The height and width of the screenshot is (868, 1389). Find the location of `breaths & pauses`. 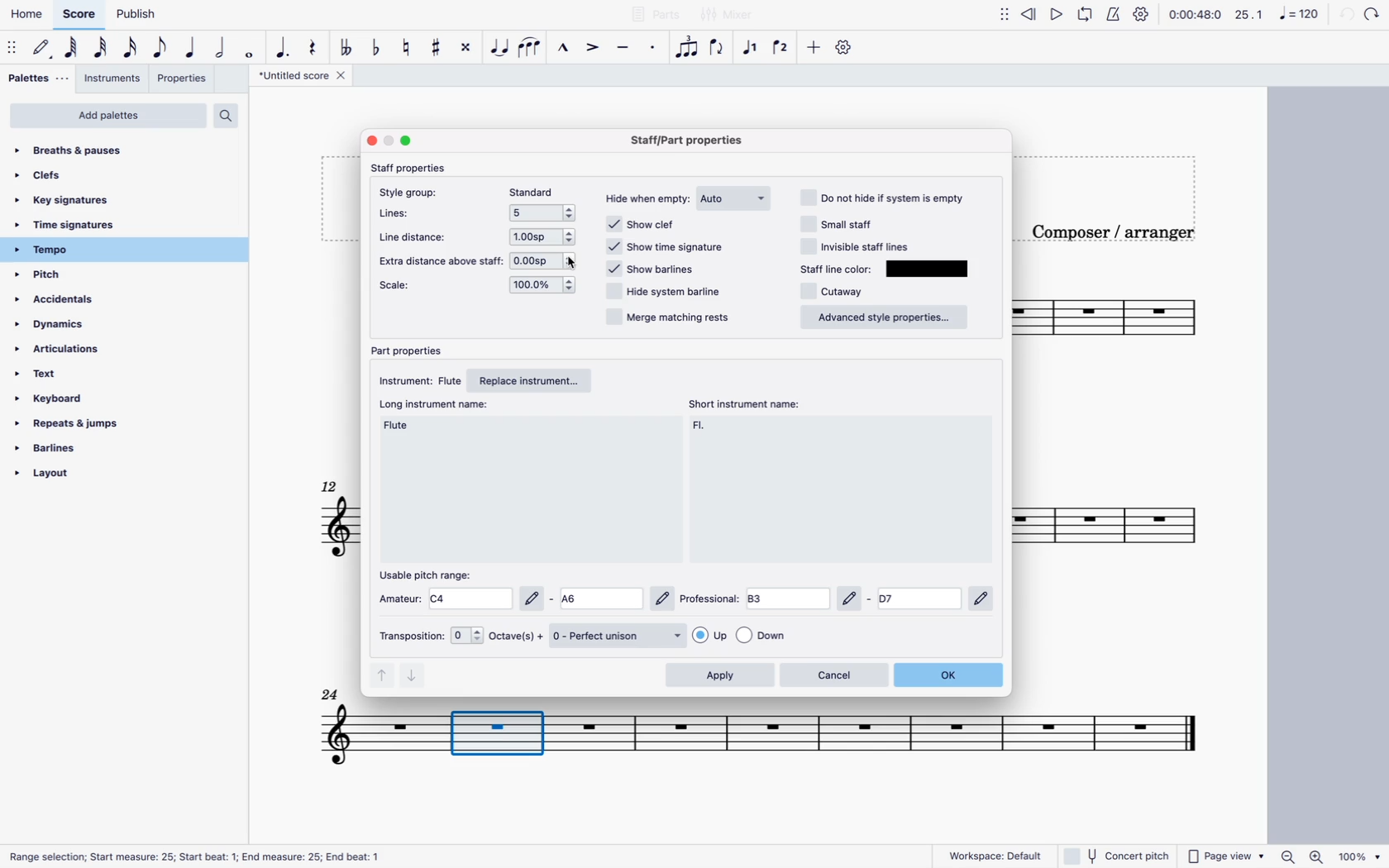

breaths & pauses is located at coordinates (80, 150).